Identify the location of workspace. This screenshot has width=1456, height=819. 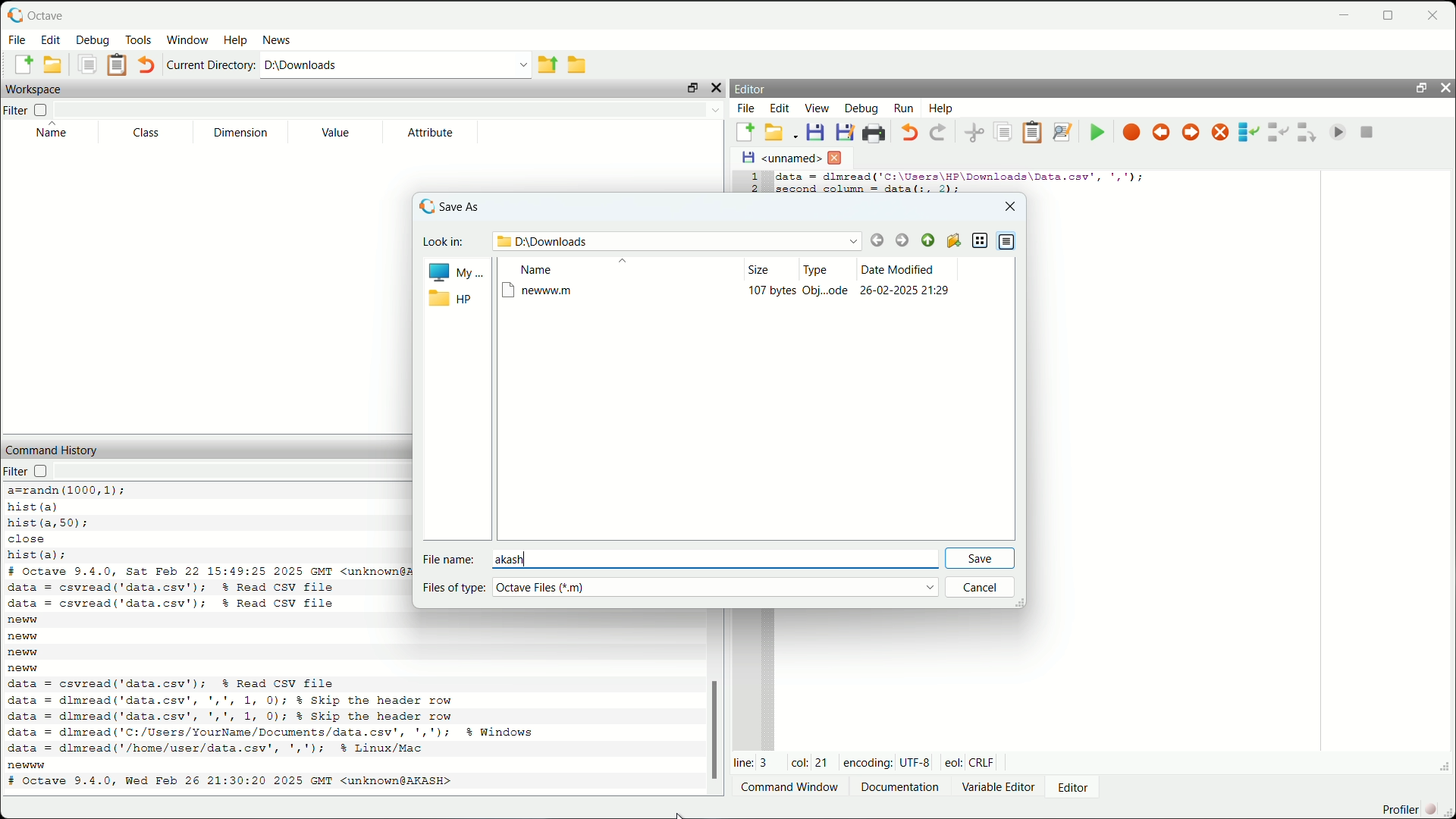
(33, 91).